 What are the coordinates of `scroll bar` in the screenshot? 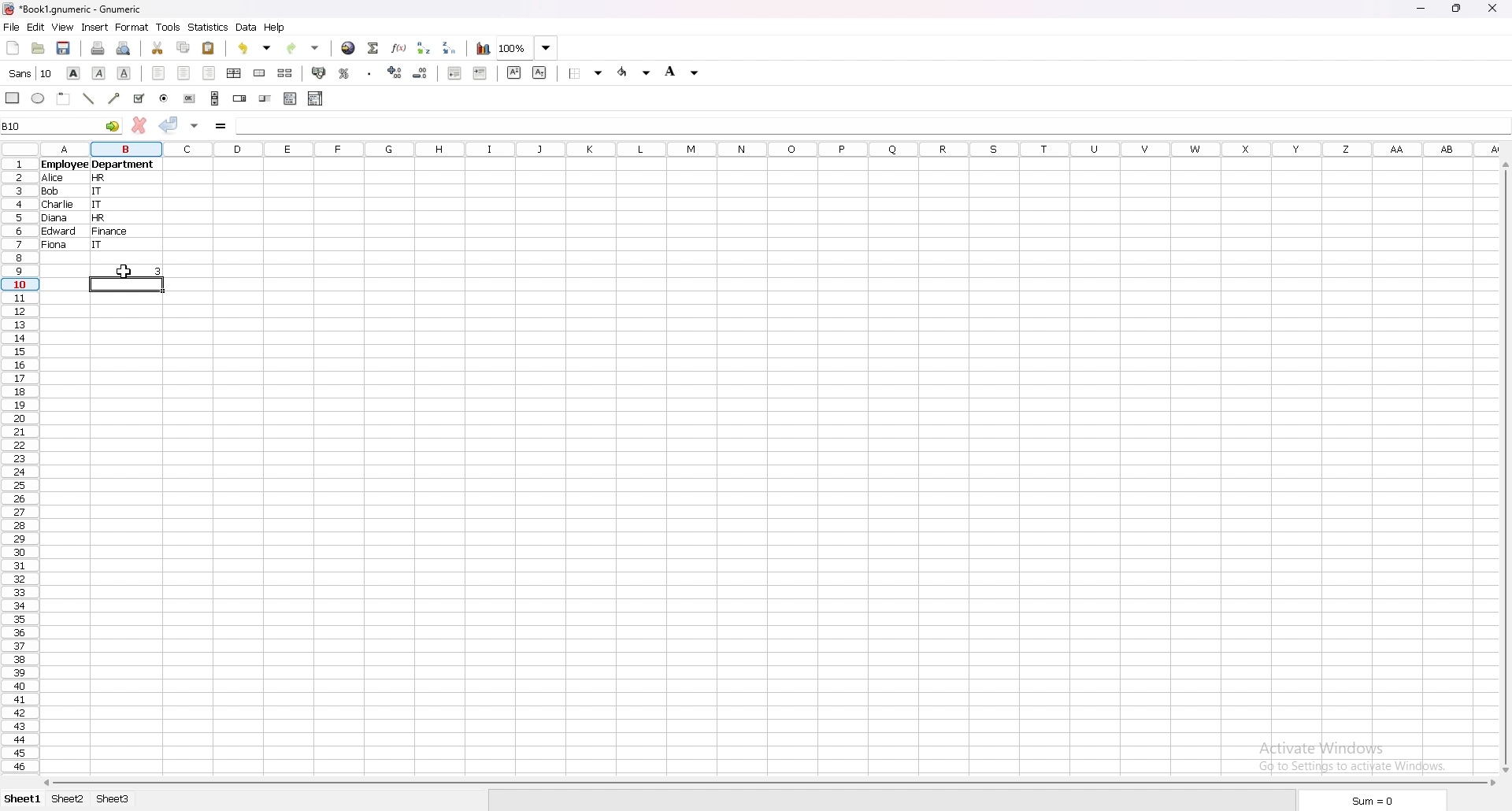 It's located at (770, 782).